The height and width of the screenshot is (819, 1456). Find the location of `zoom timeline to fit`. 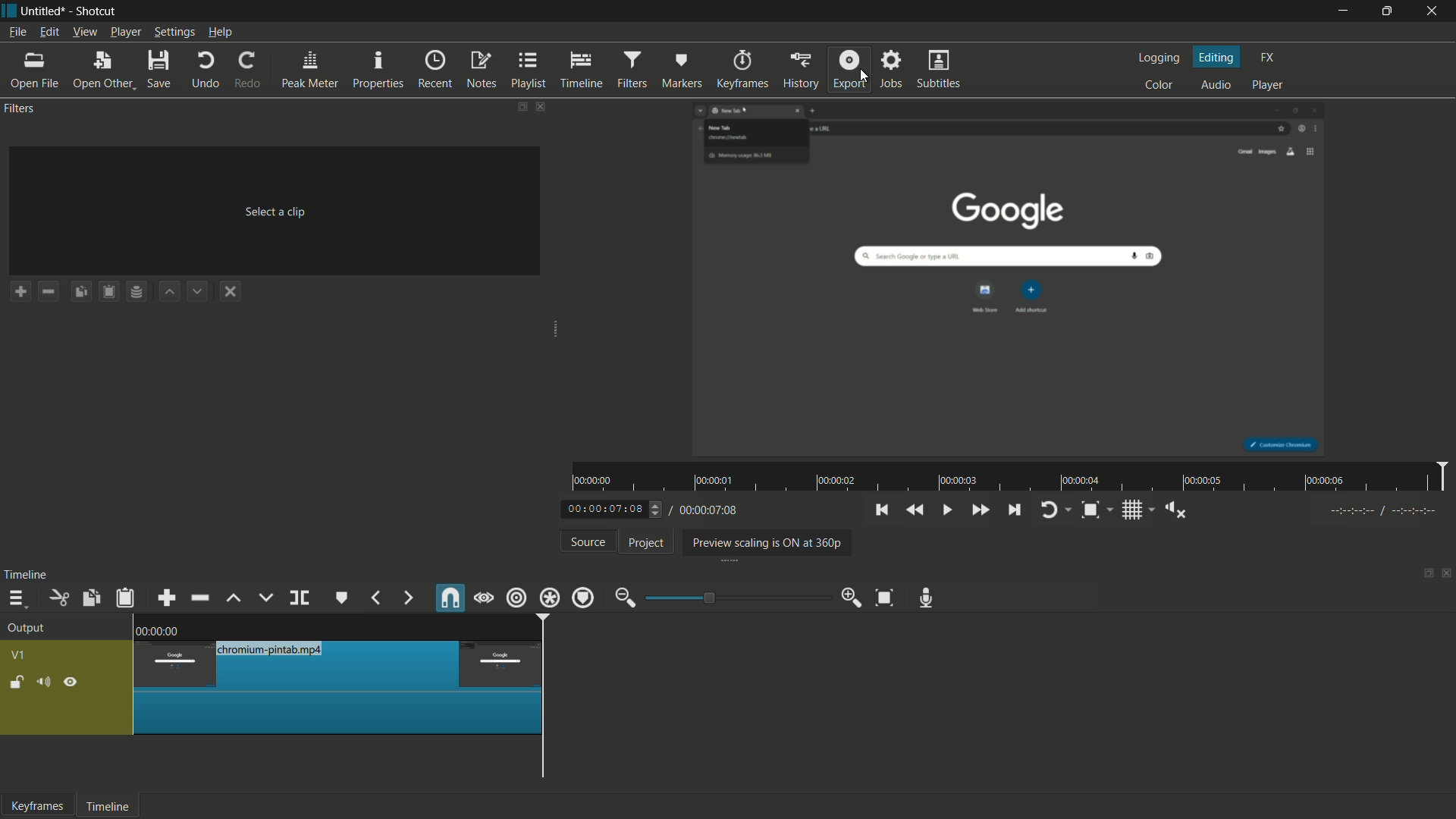

zoom timeline to fit is located at coordinates (888, 597).